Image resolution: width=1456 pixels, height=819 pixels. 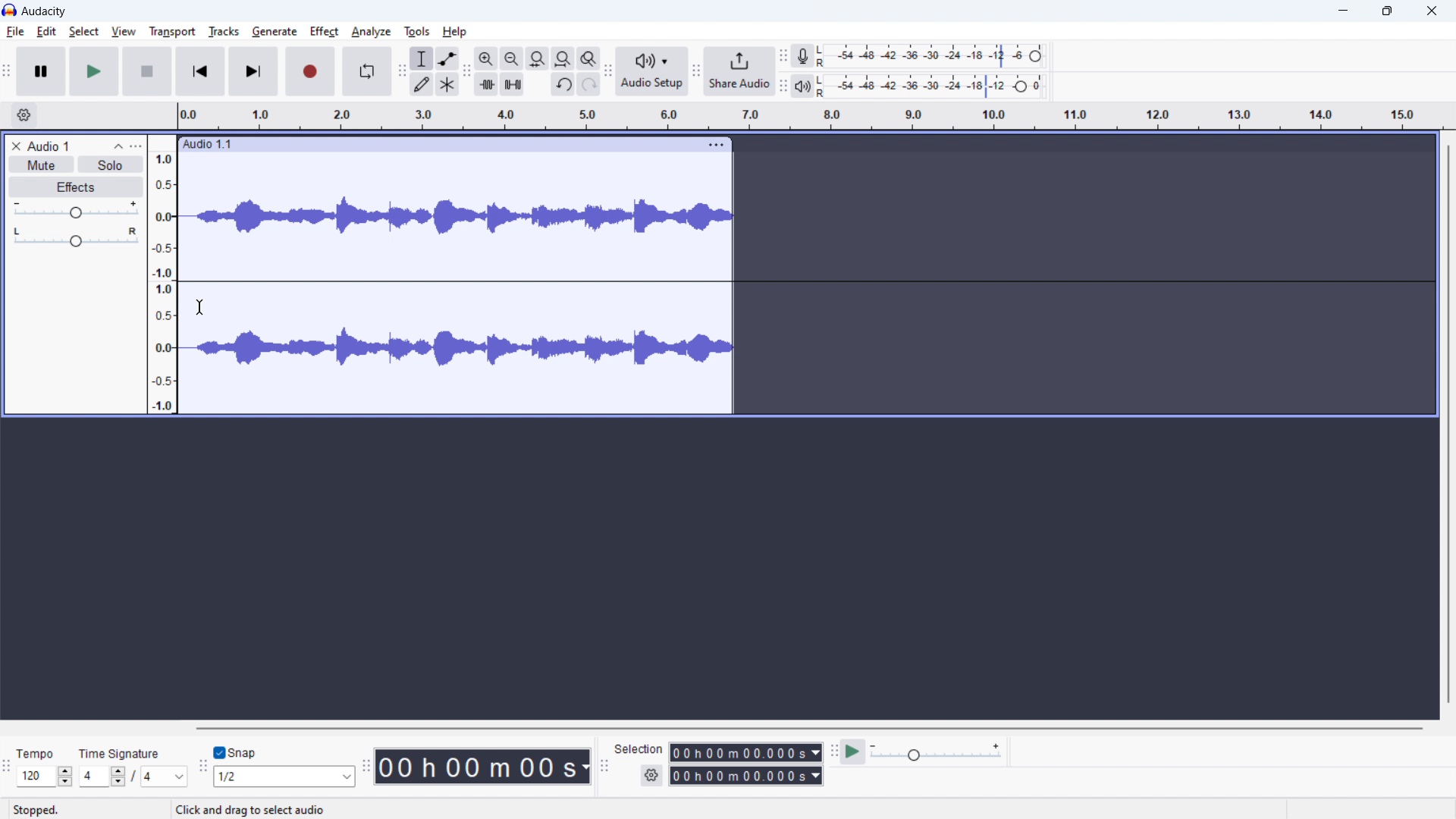 I want to click on amplitude, so click(x=161, y=275).